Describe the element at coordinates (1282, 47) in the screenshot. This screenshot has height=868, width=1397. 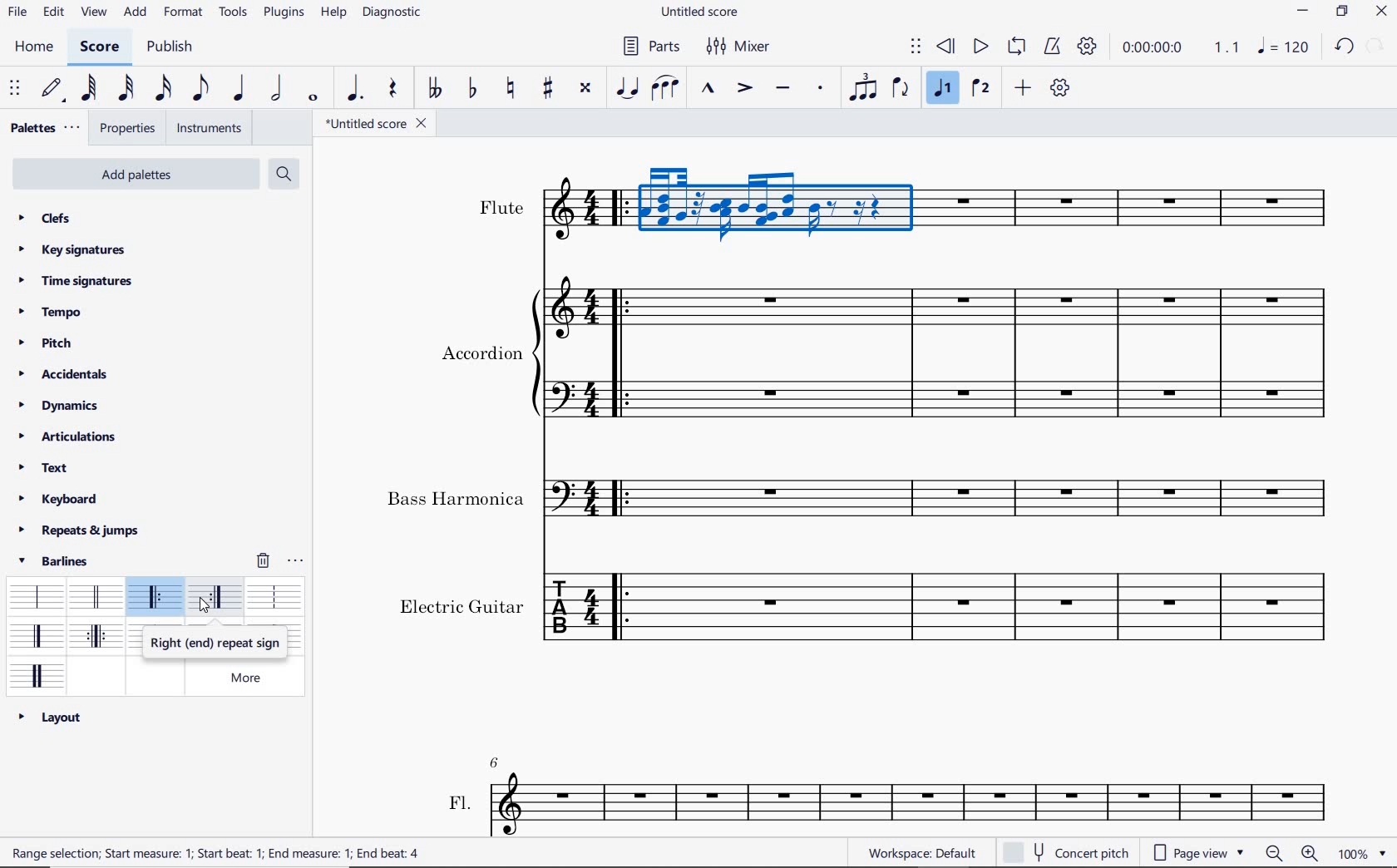
I see `NOTE` at that location.